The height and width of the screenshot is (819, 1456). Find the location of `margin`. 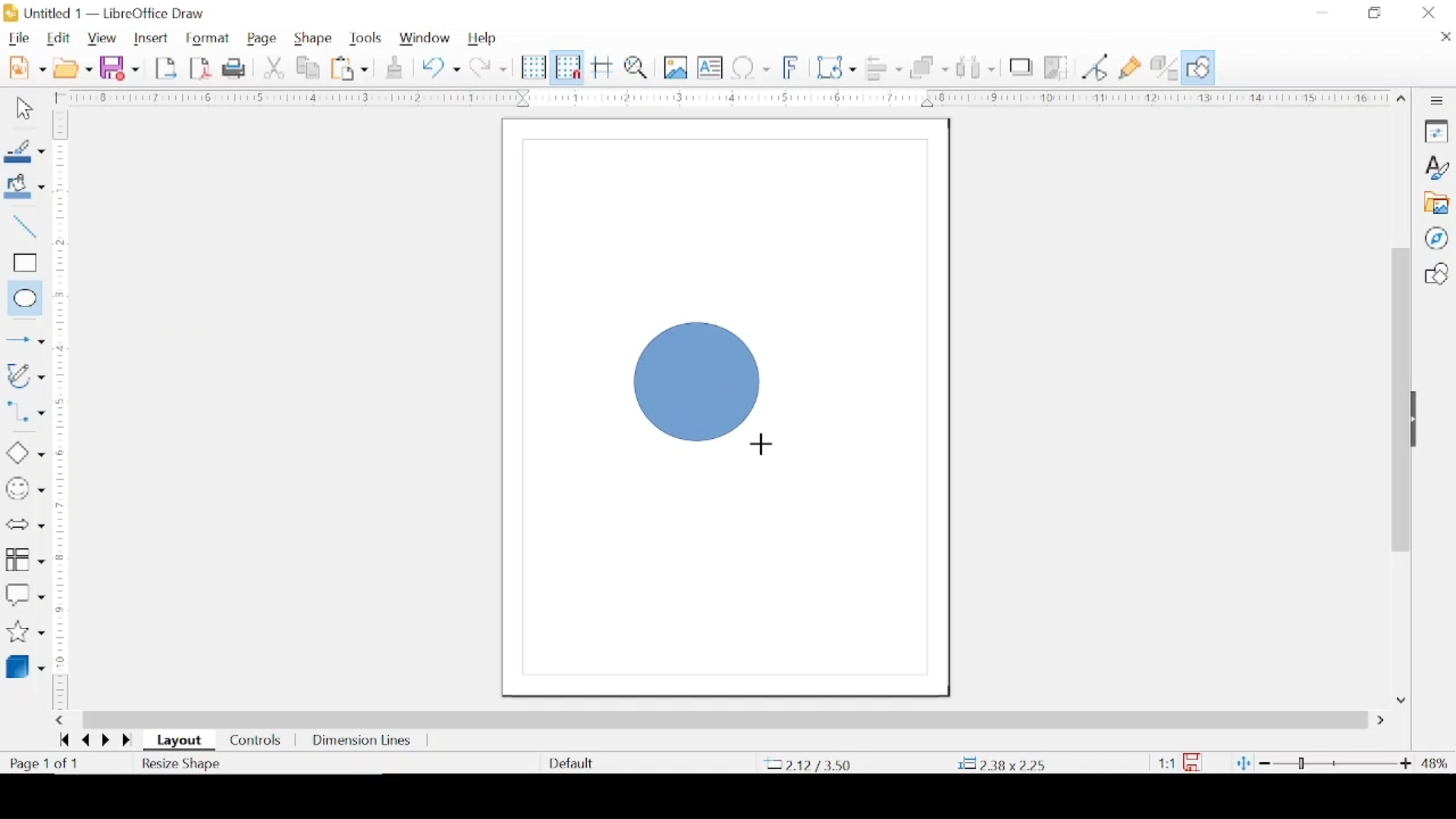

margin is located at coordinates (64, 529).